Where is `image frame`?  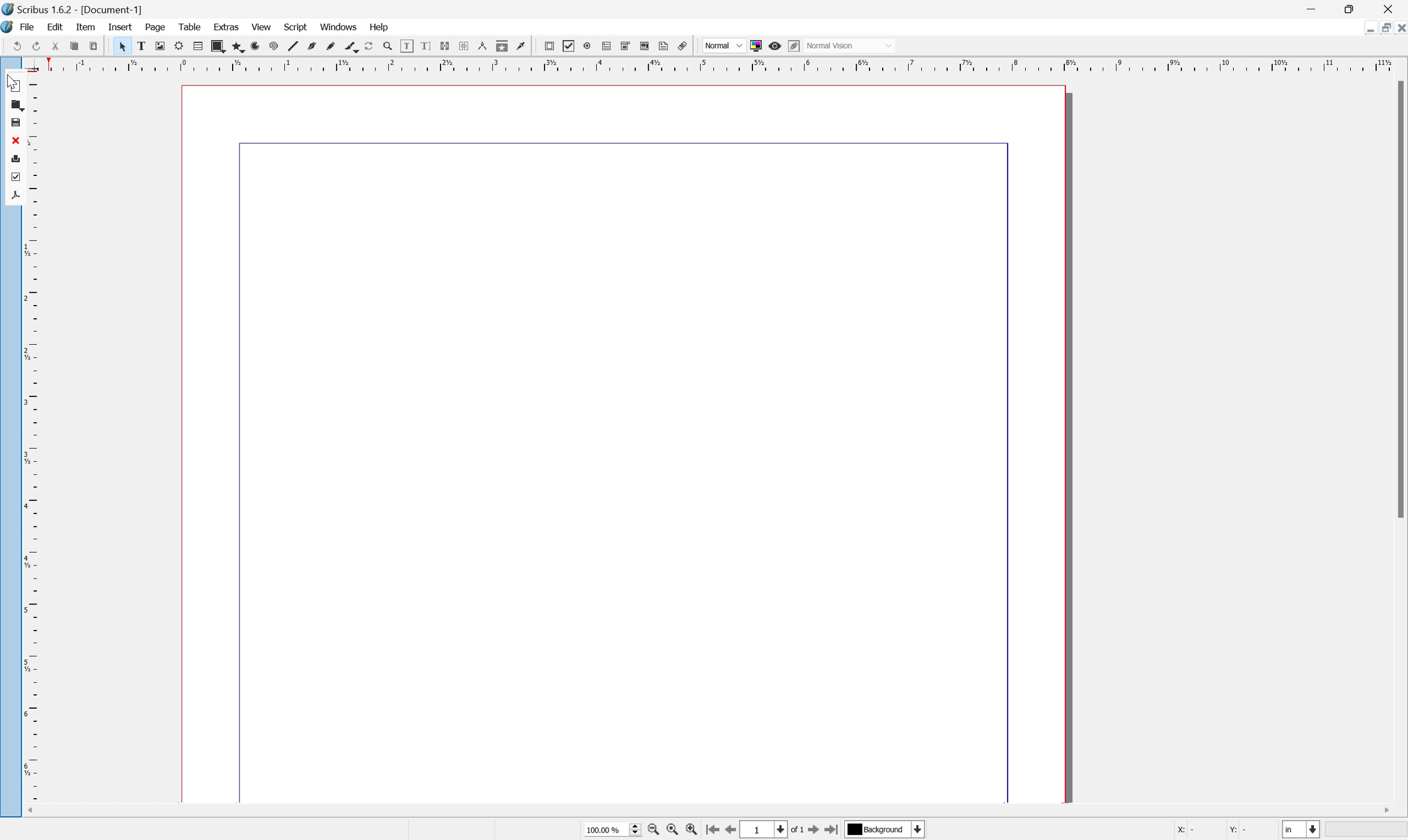 image frame is located at coordinates (293, 45).